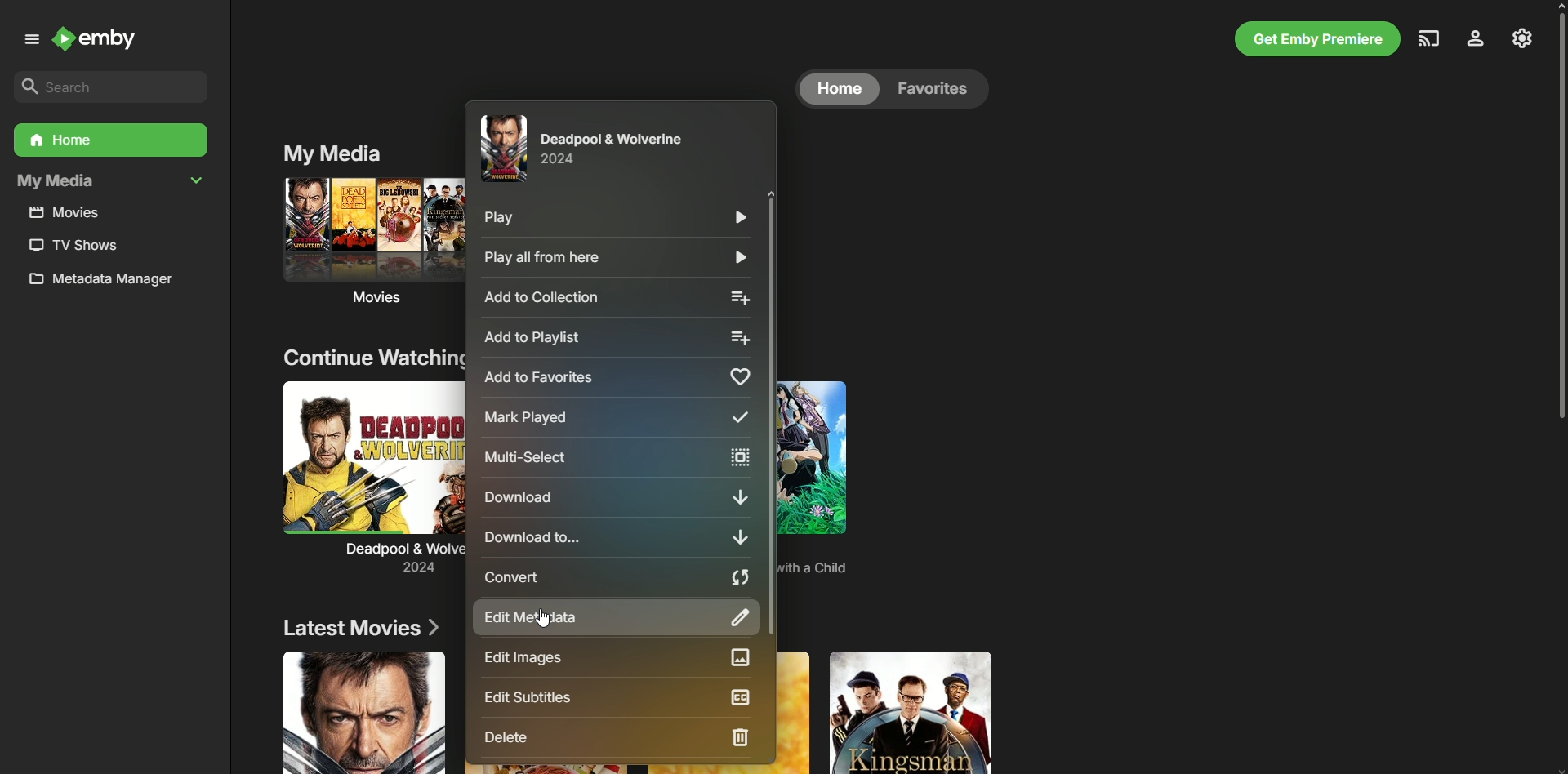  What do you see at coordinates (1473, 39) in the screenshot?
I see `Profile` at bounding box center [1473, 39].